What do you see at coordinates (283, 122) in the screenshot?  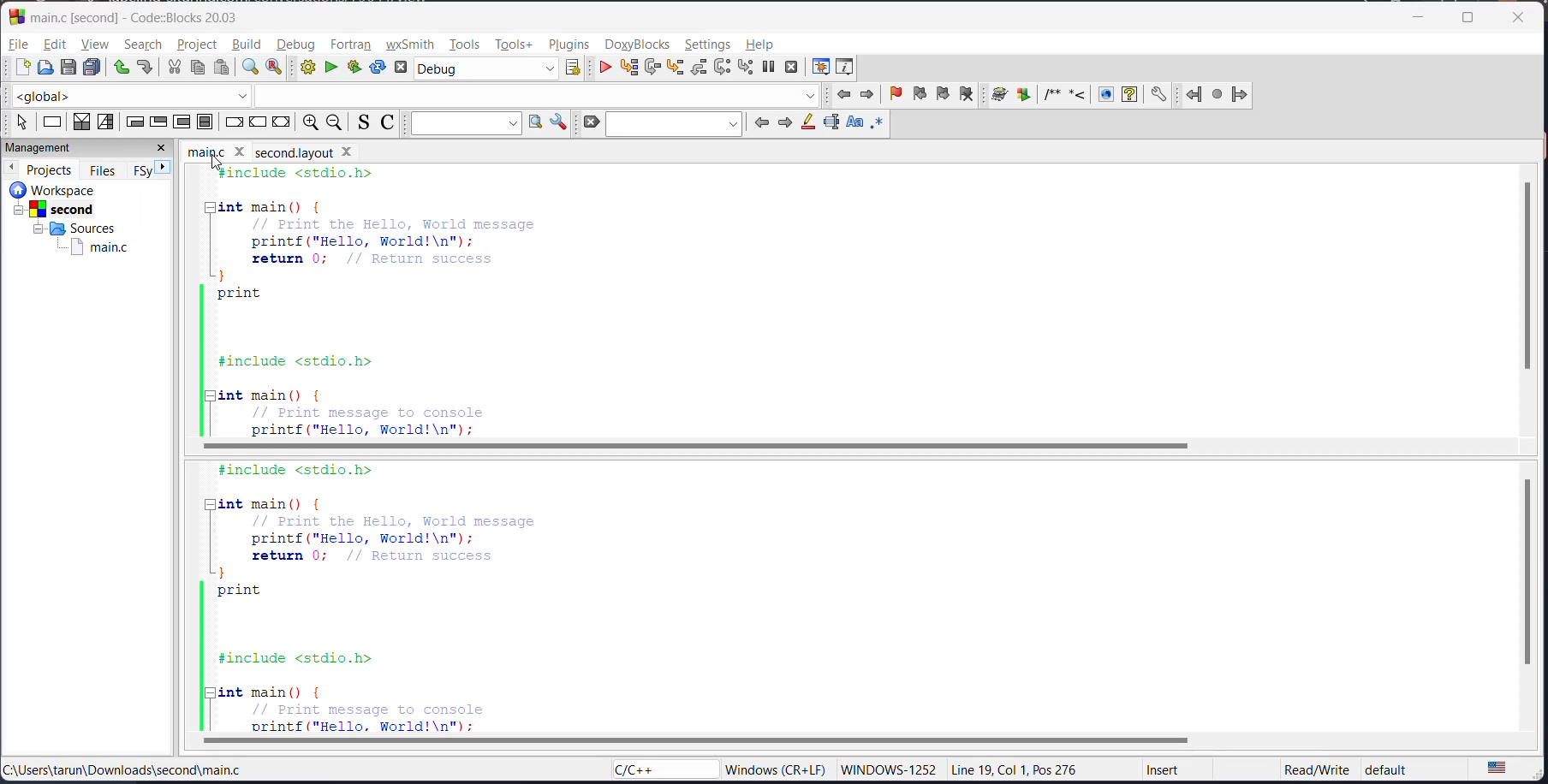 I see `return  instruction` at bounding box center [283, 122].